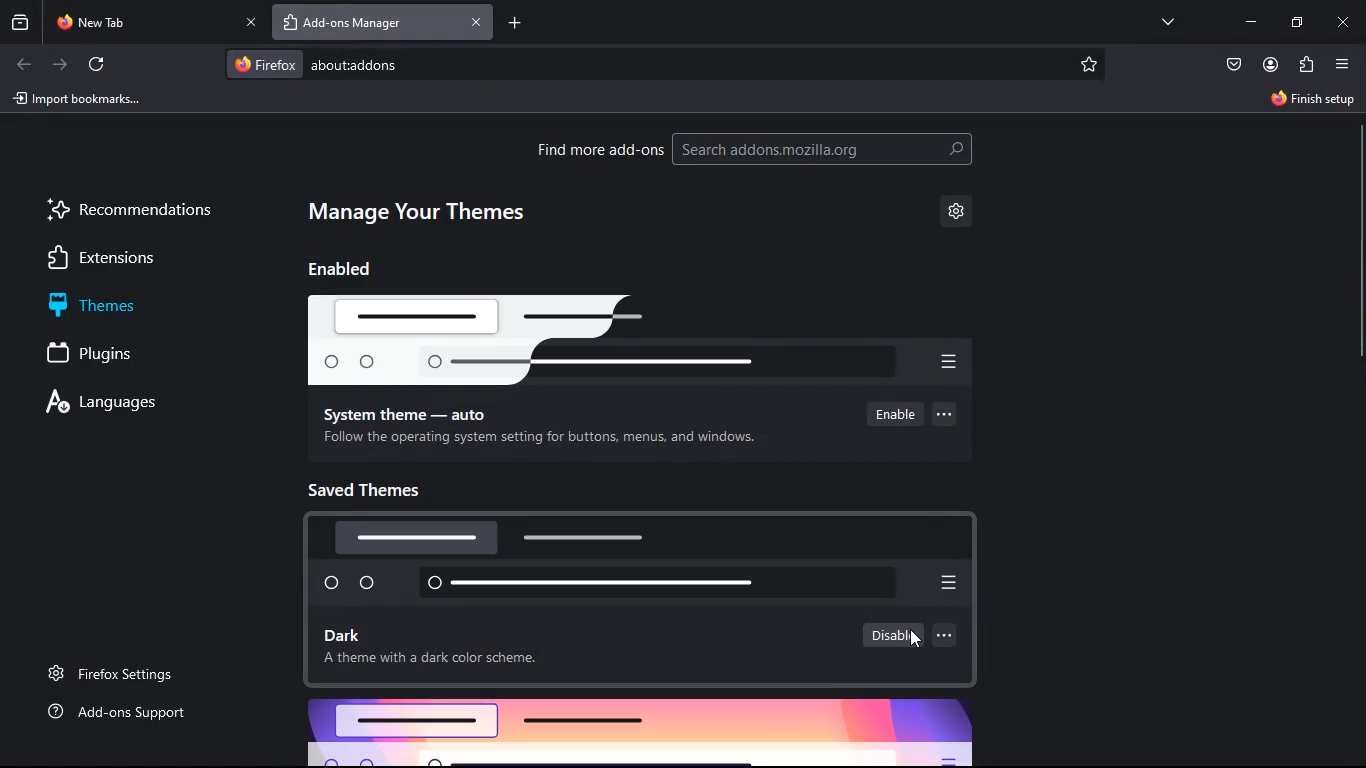  What do you see at coordinates (102, 66) in the screenshot?
I see `refresh` at bounding box center [102, 66].